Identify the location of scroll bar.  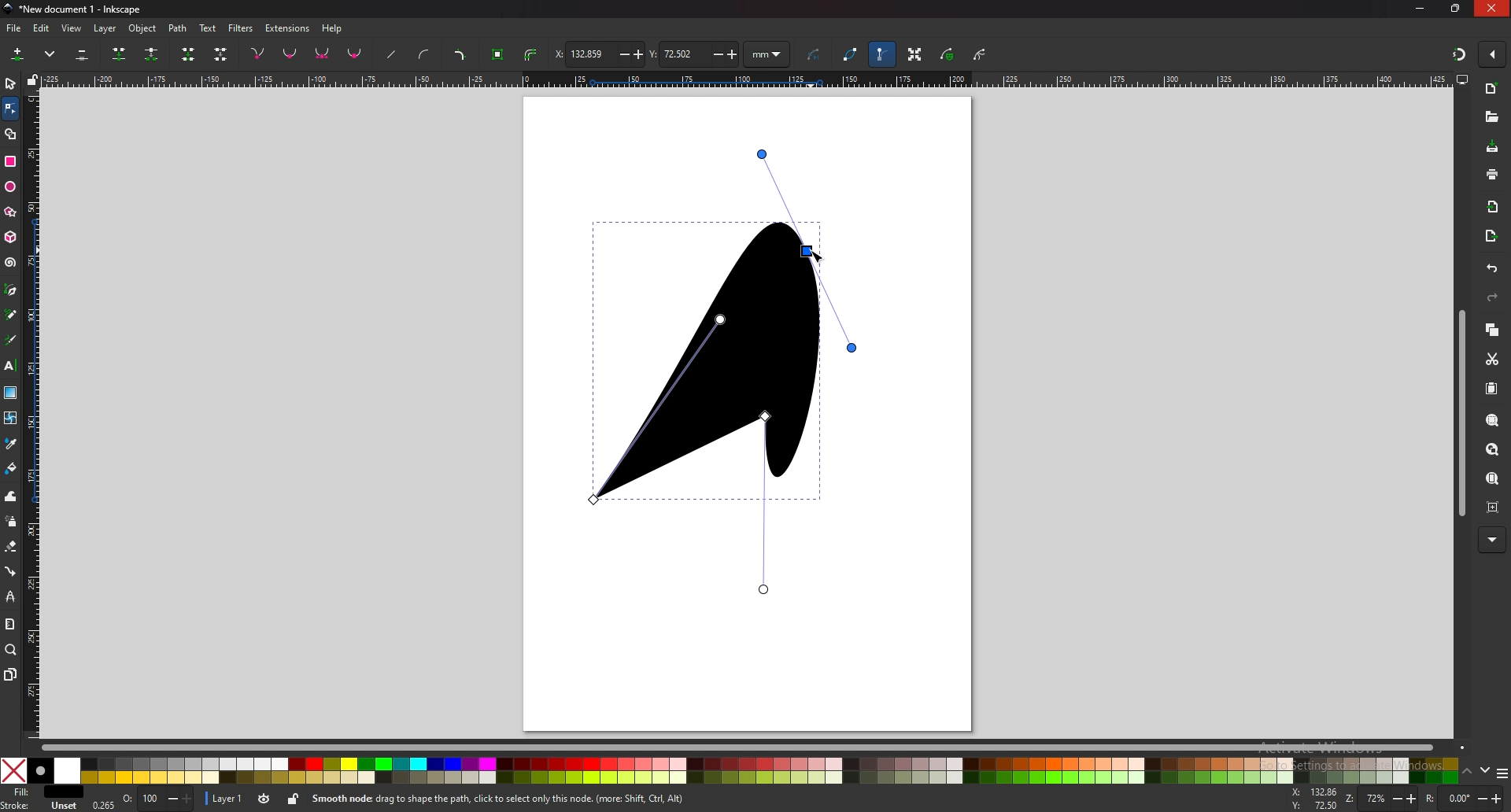
(1461, 414).